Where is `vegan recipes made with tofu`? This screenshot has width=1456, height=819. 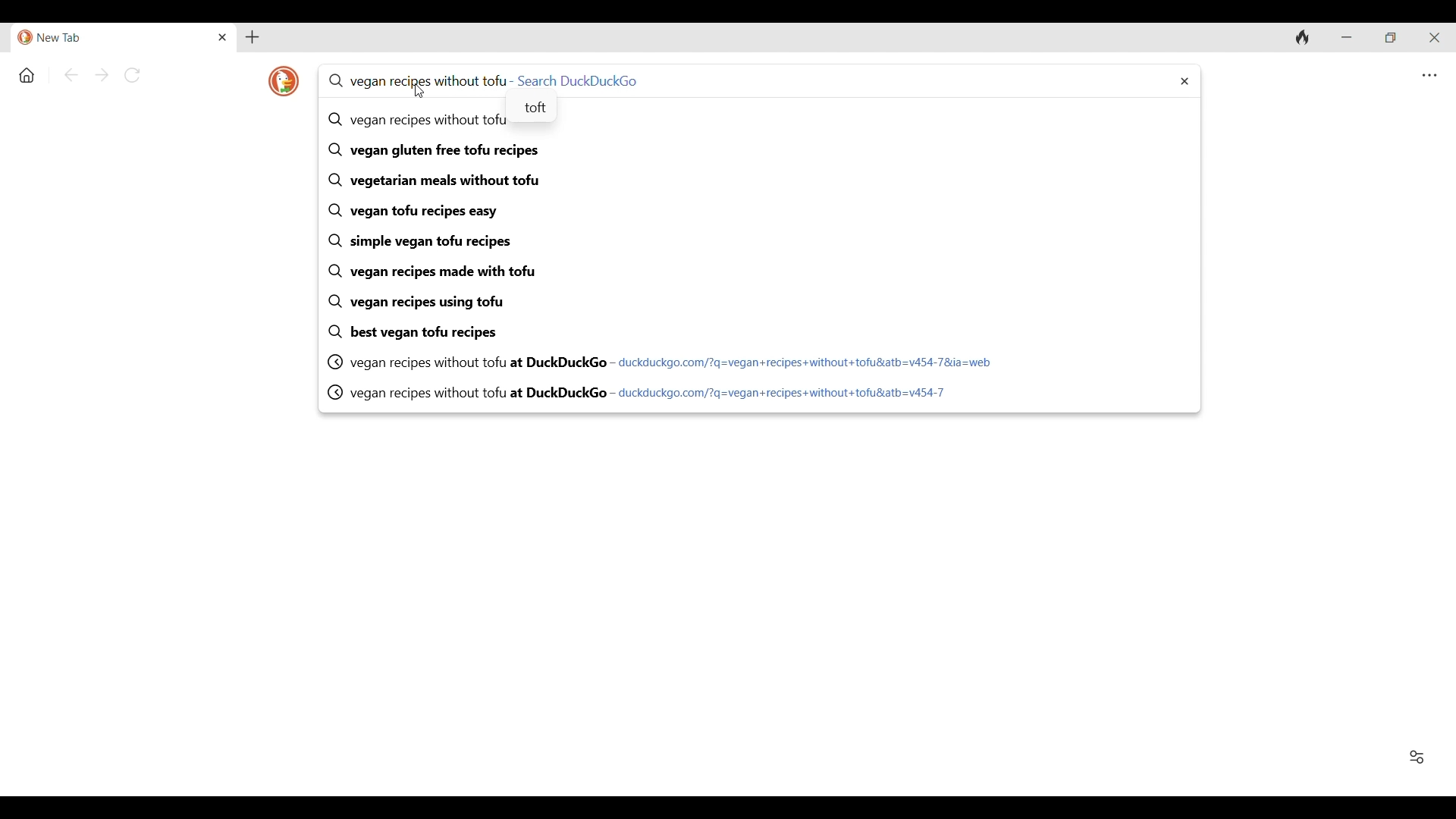 vegan recipes made with tofu is located at coordinates (760, 271).